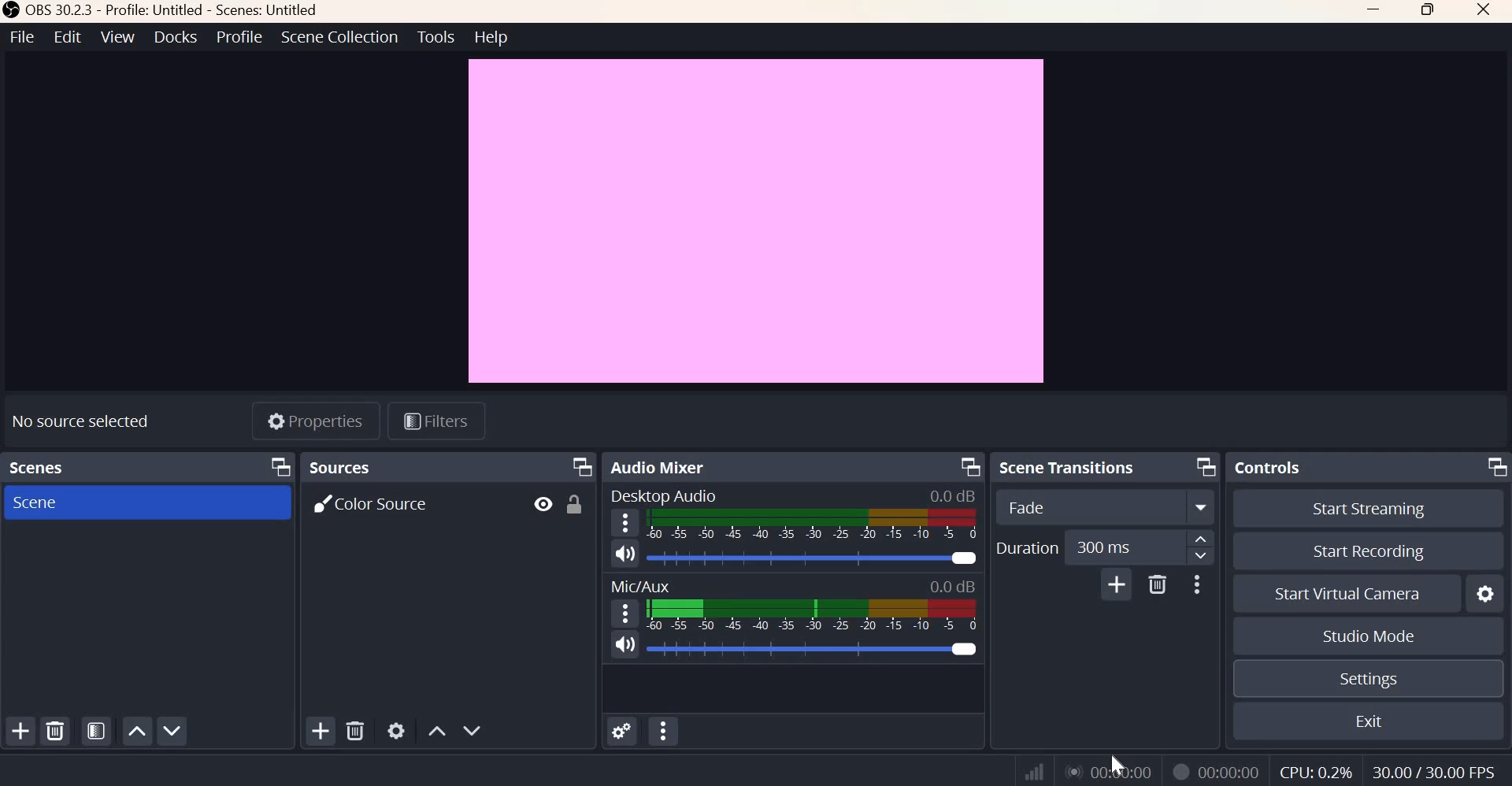 The image size is (1512, 786). Describe the element at coordinates (282, 466) in the screenshot. I see `Dock Options icon` at that location.